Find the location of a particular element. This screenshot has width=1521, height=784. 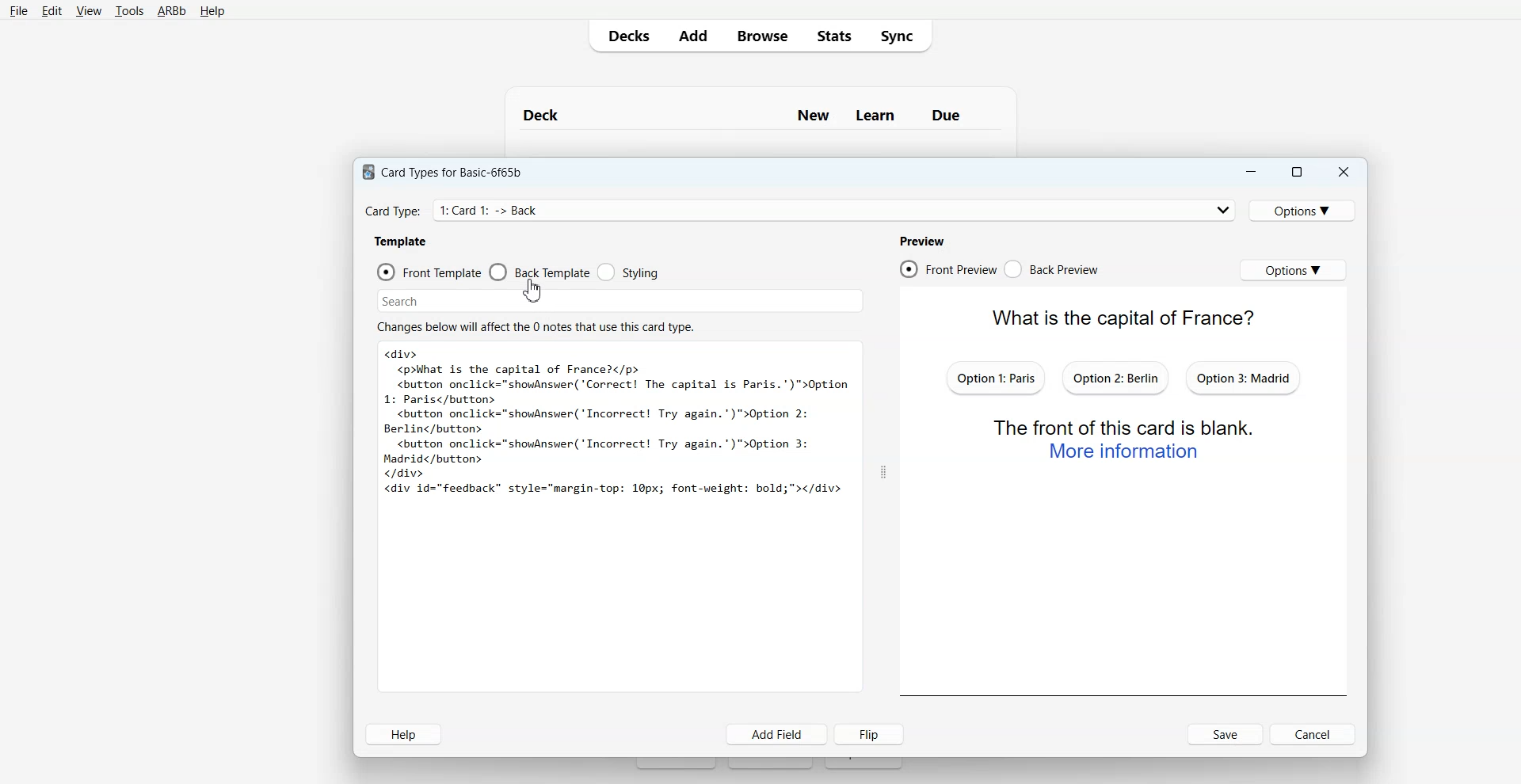

Front Preview is located at coordinates (947, 268).